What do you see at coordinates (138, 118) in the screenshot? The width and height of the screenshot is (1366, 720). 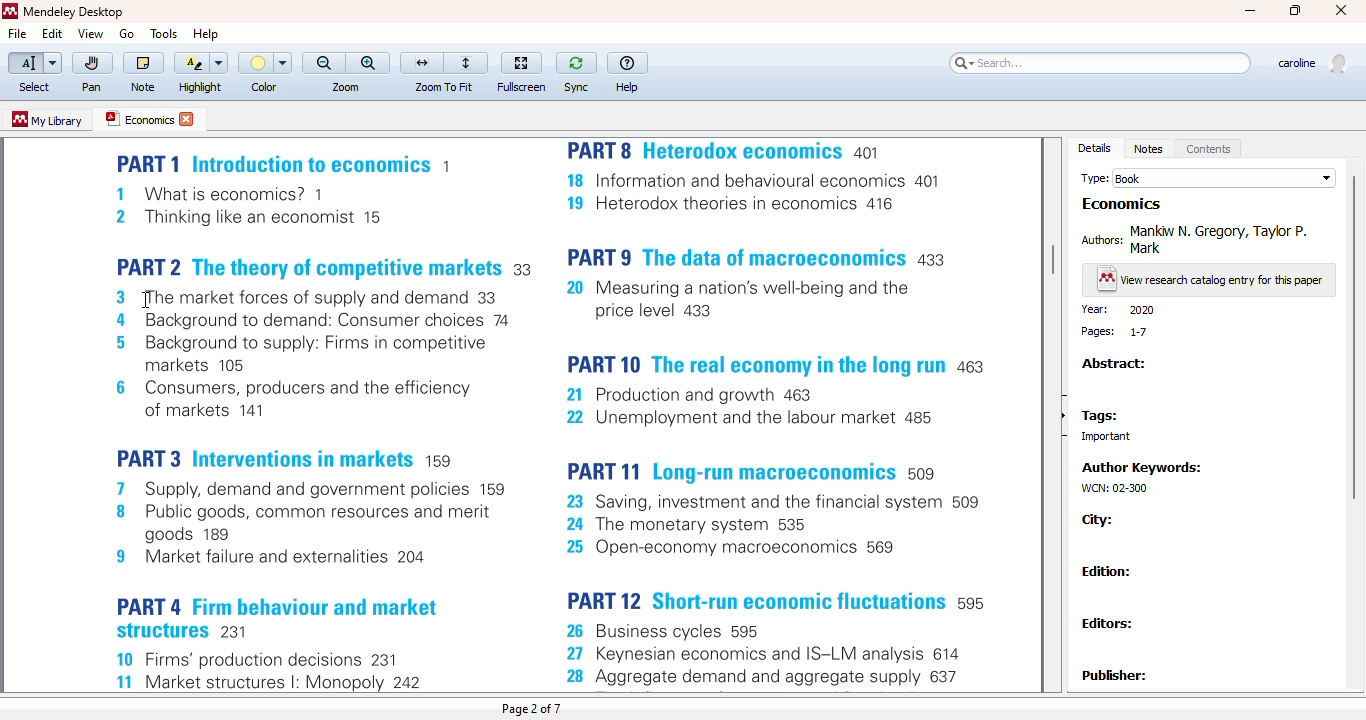 I see `economics` at bounding box center [138, 118].